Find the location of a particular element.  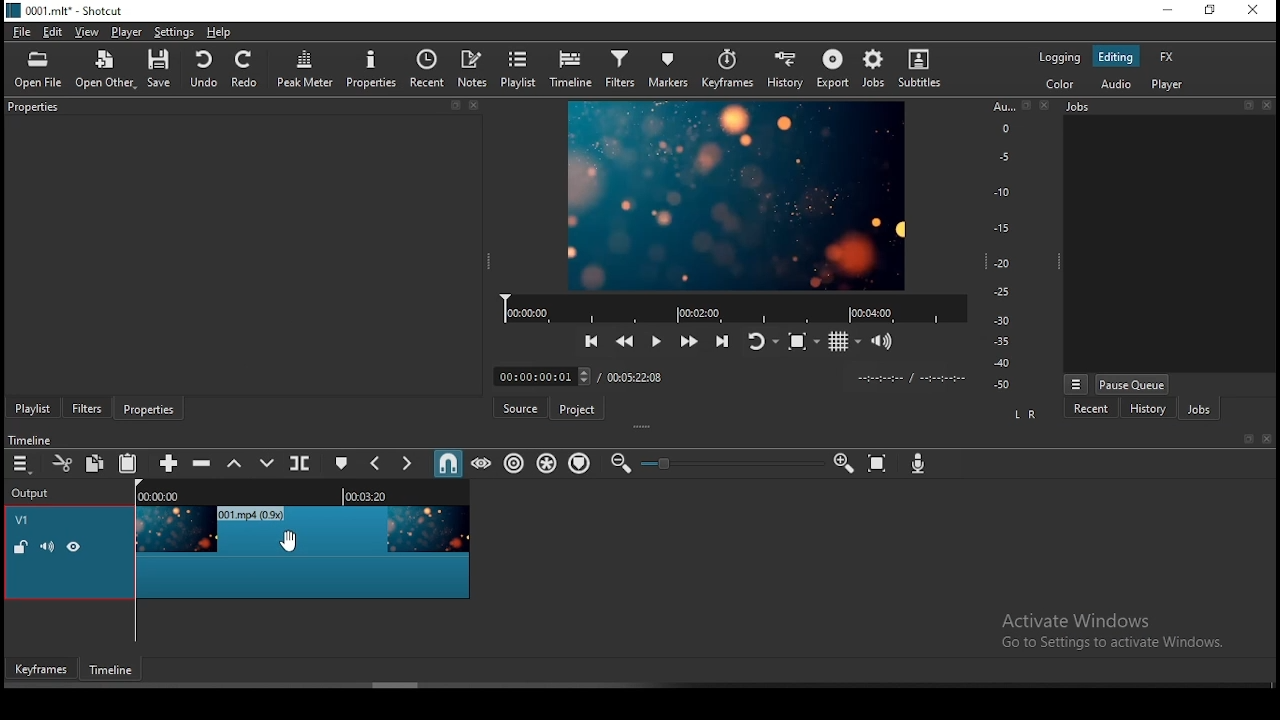

scale is located at coordinates (1001, 246).